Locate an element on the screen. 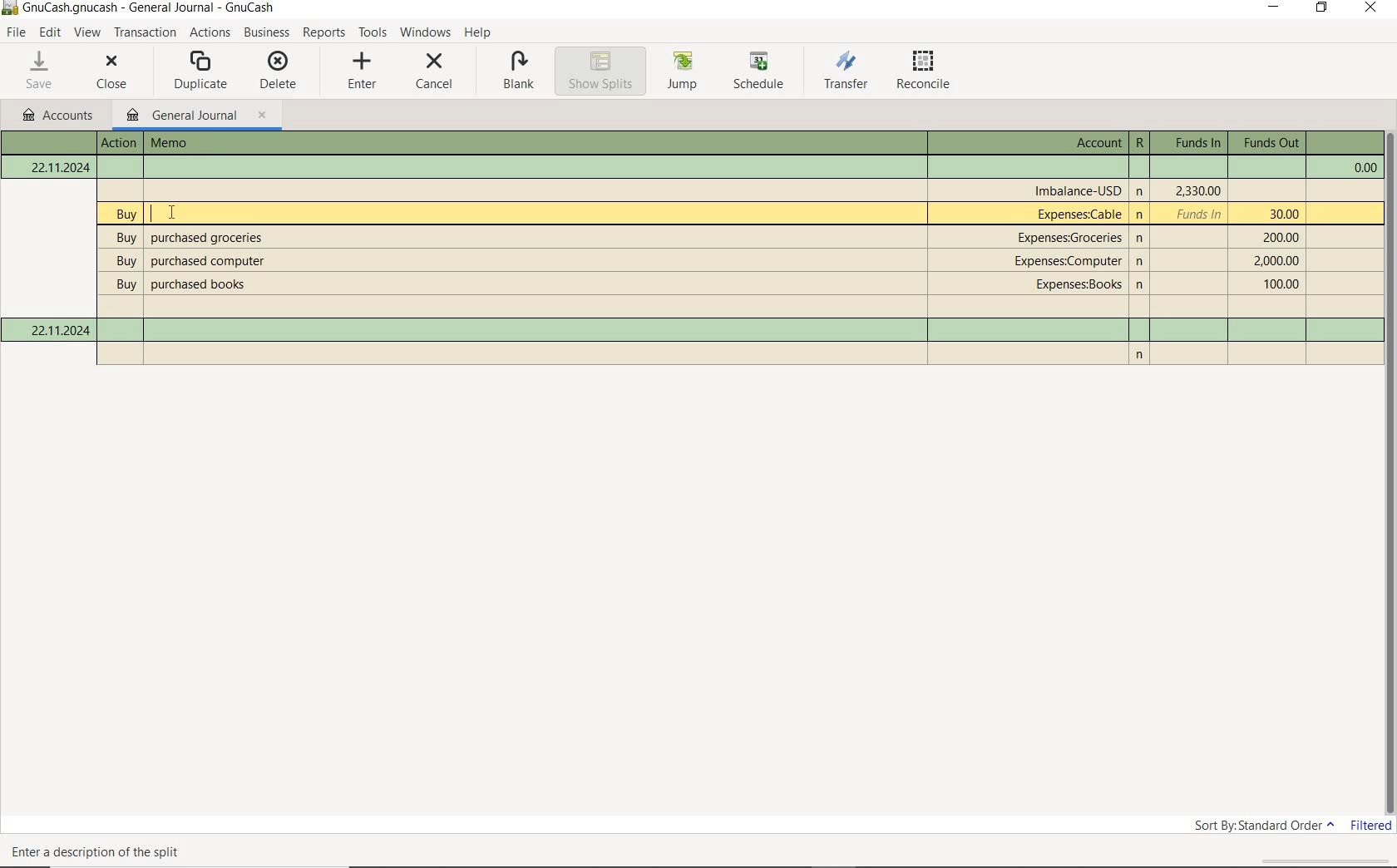  BUSINESS is located at coordinates (266, 31).